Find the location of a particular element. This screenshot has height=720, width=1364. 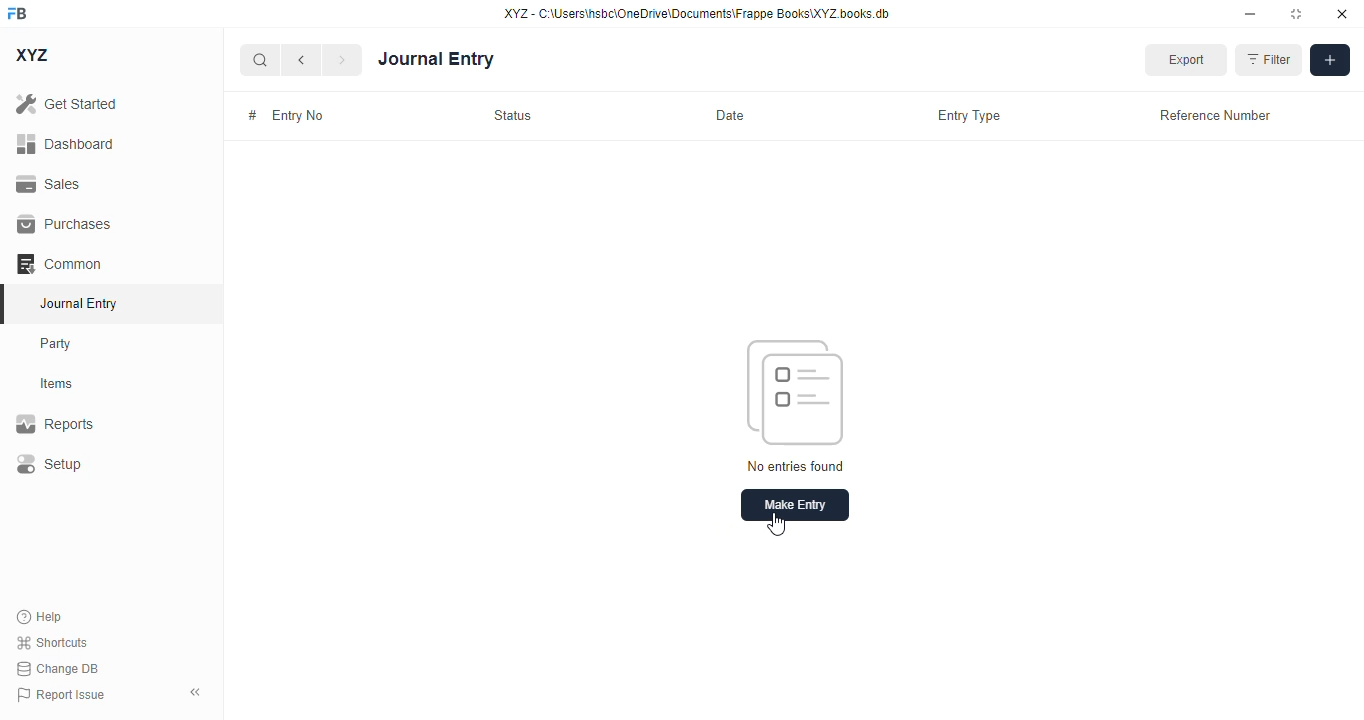

make entry is located at coordinates (795, 505).